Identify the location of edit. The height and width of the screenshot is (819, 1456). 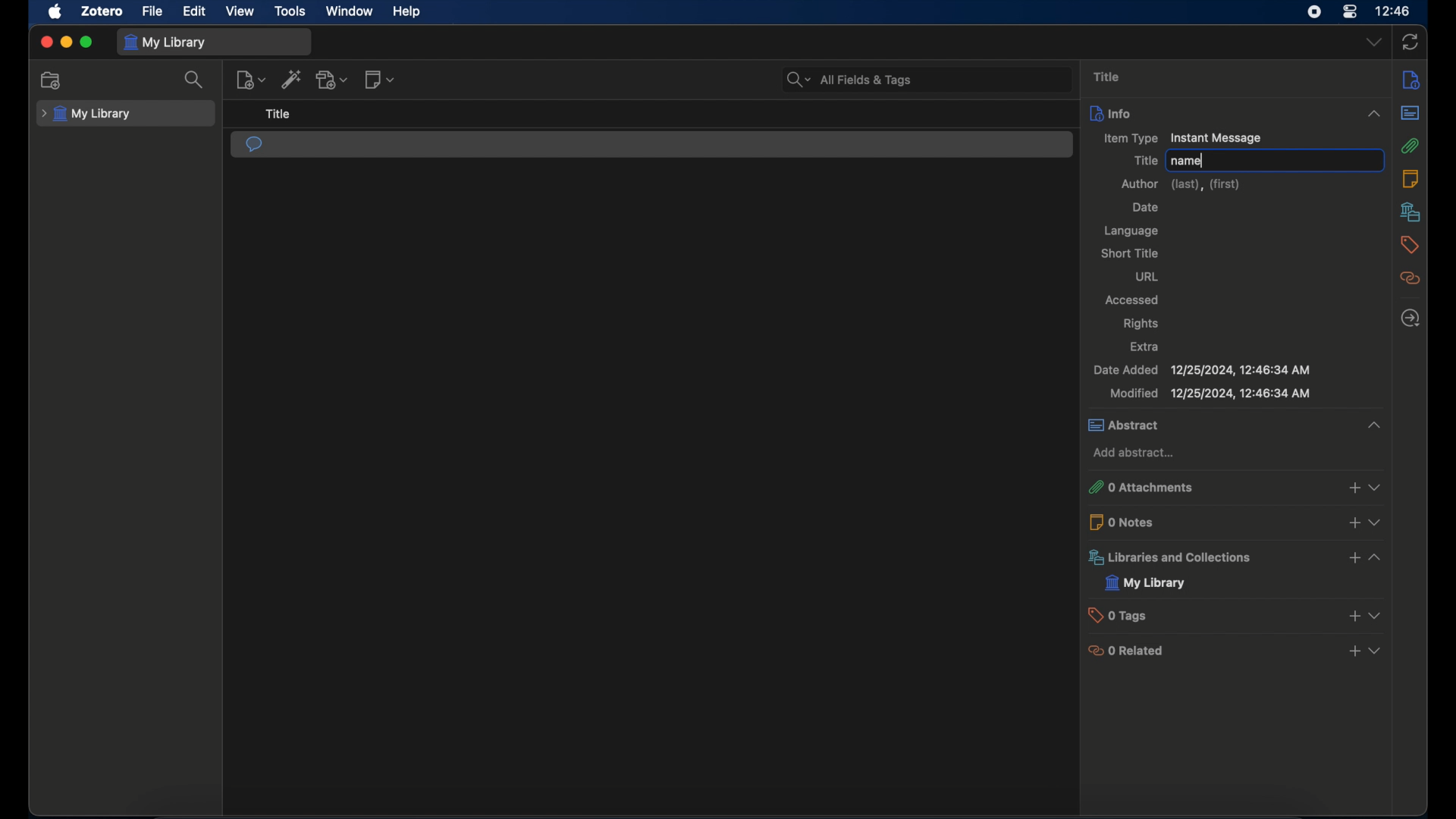
(196, 11).